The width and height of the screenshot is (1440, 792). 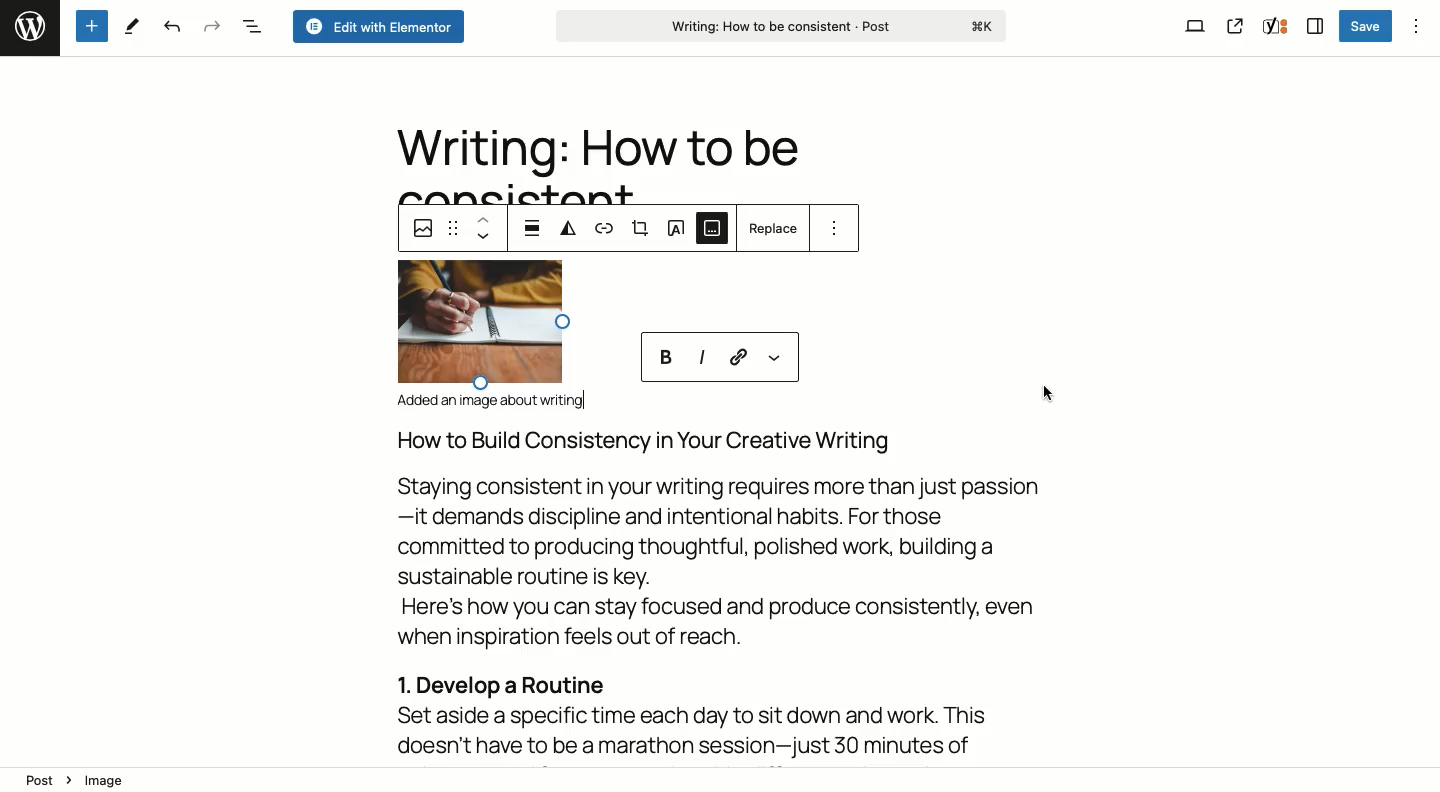 I want to click on Save, so click(x=1367, y=27).